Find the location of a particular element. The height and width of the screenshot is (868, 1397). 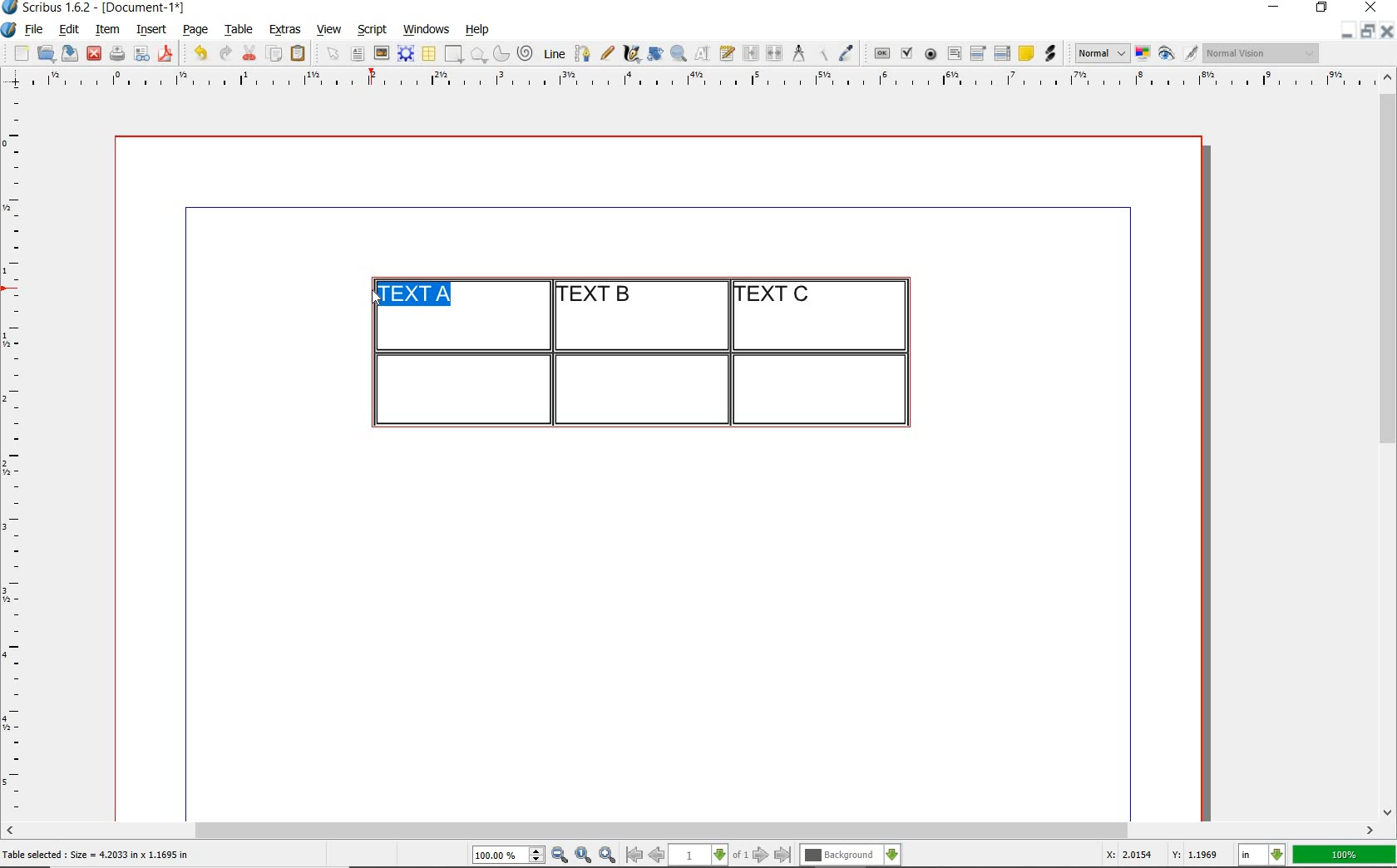

cut is located at coordinates (249, 52).